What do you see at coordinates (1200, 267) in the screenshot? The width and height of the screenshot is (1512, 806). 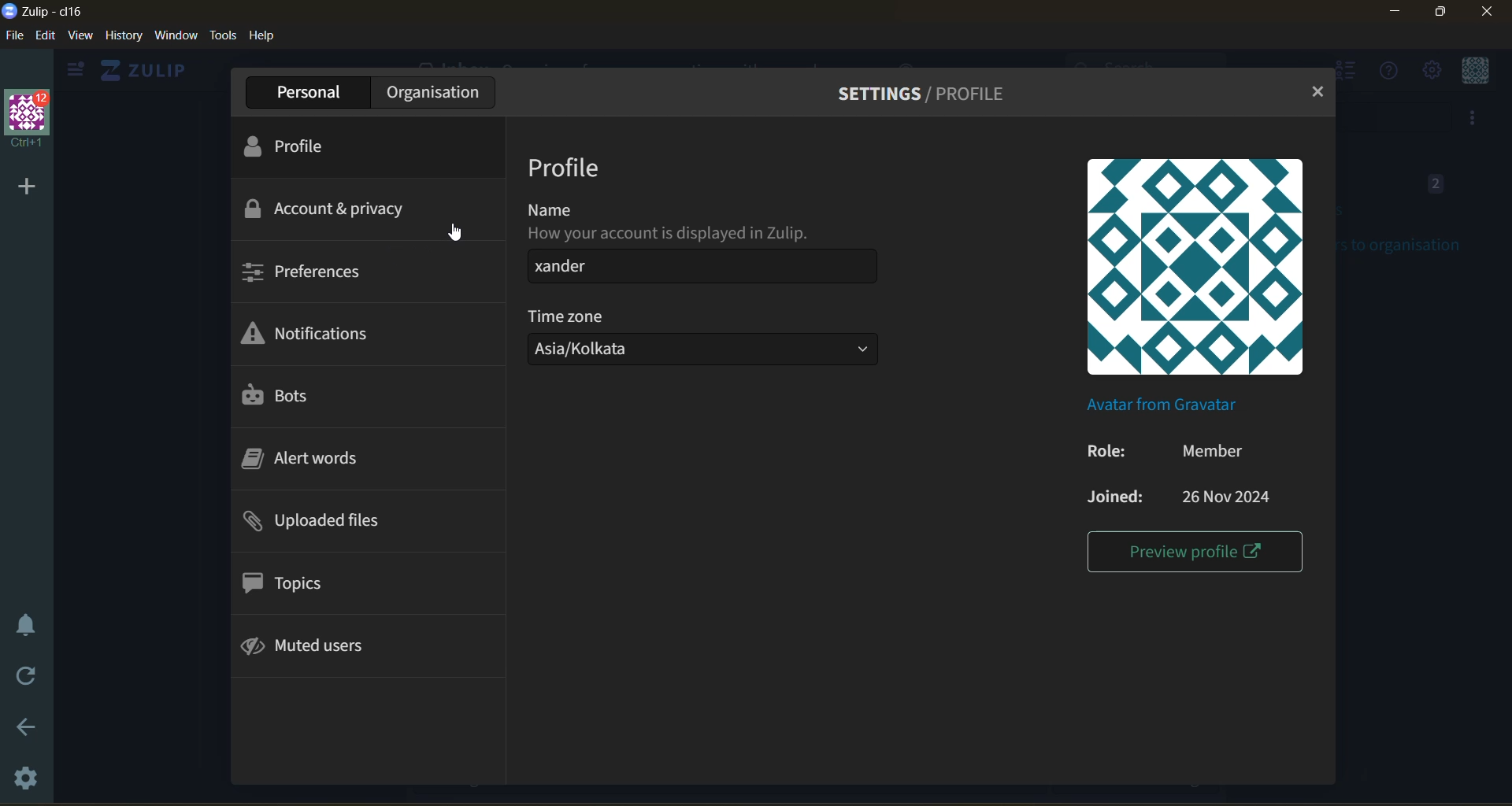 I see `profile picture` at bounding box center [1200, 267].